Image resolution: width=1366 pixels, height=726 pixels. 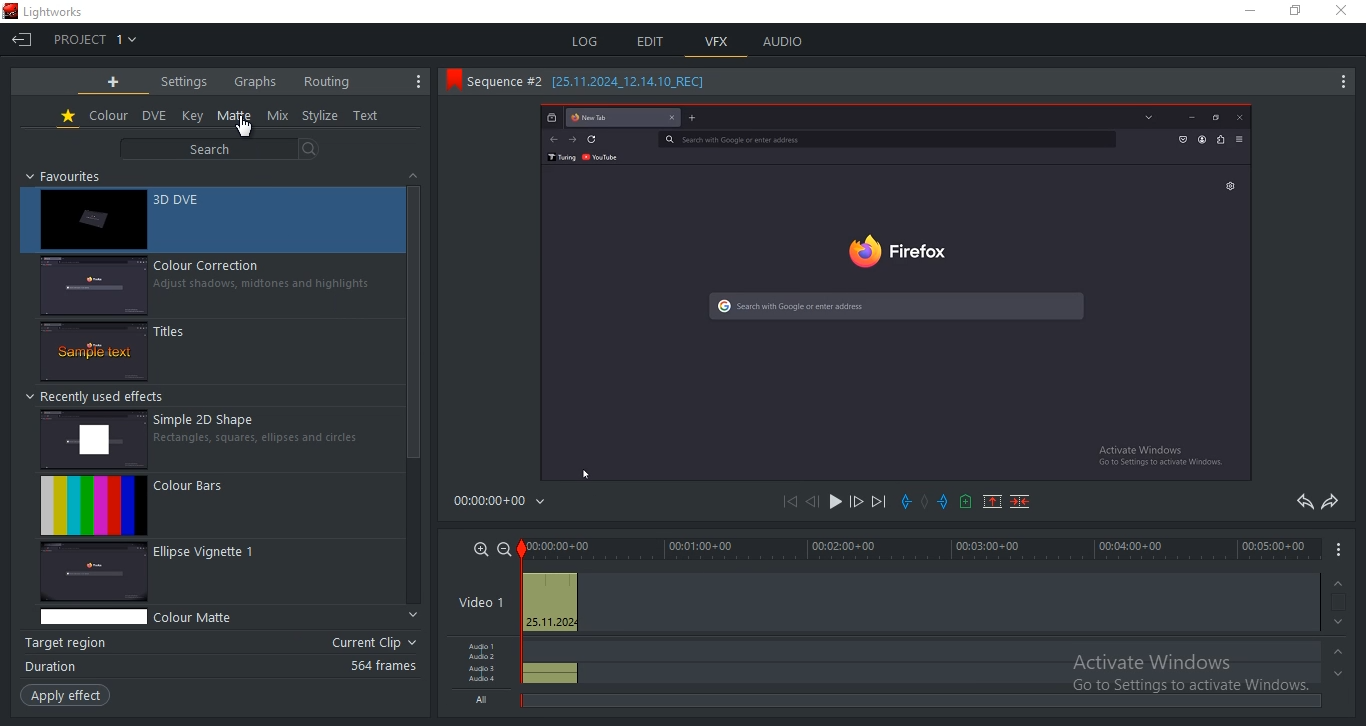 I want to click on undo, so click(x=1302, y=502).